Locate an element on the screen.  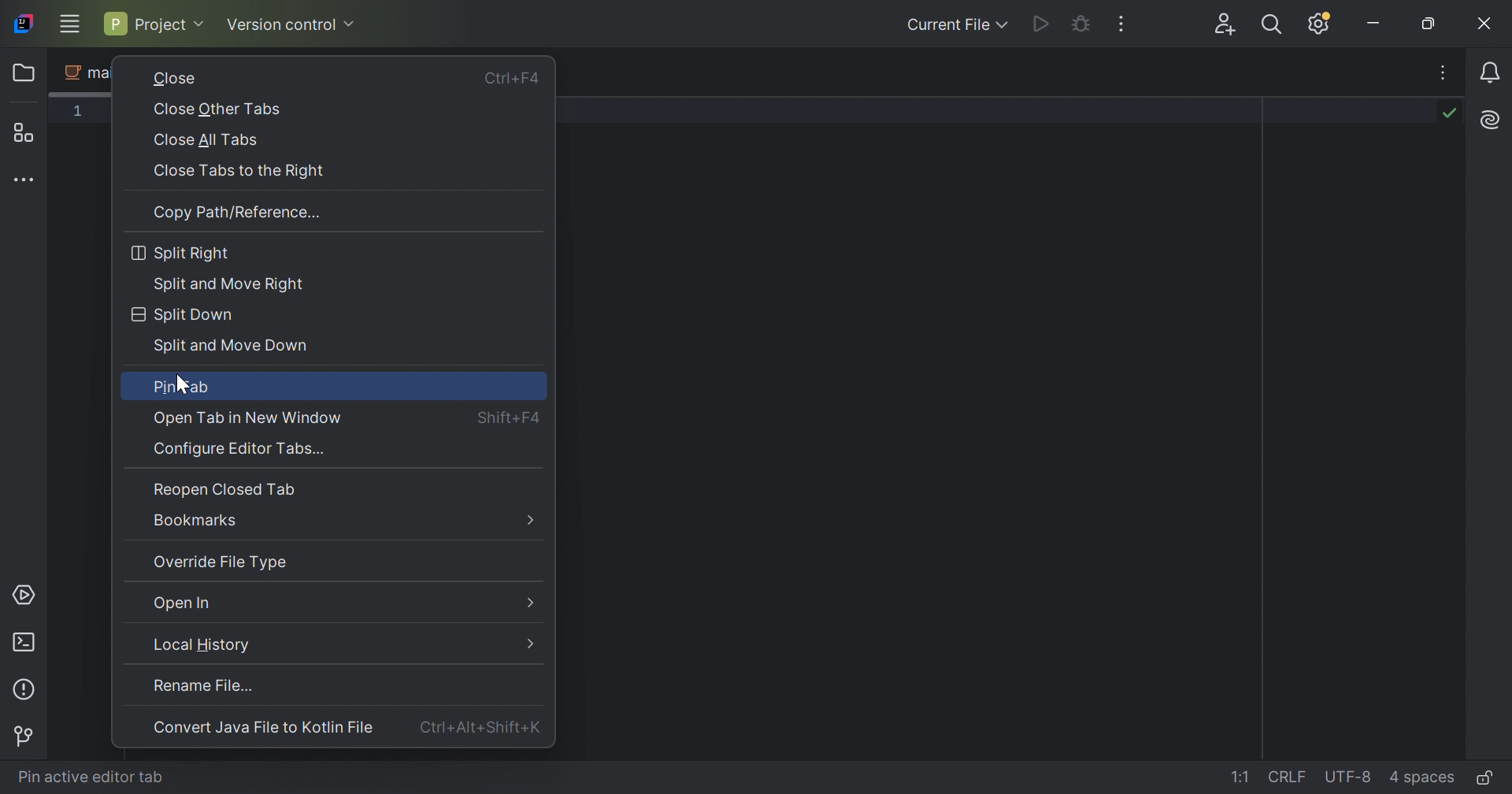
main2.java is located at coordinates (83, 72).